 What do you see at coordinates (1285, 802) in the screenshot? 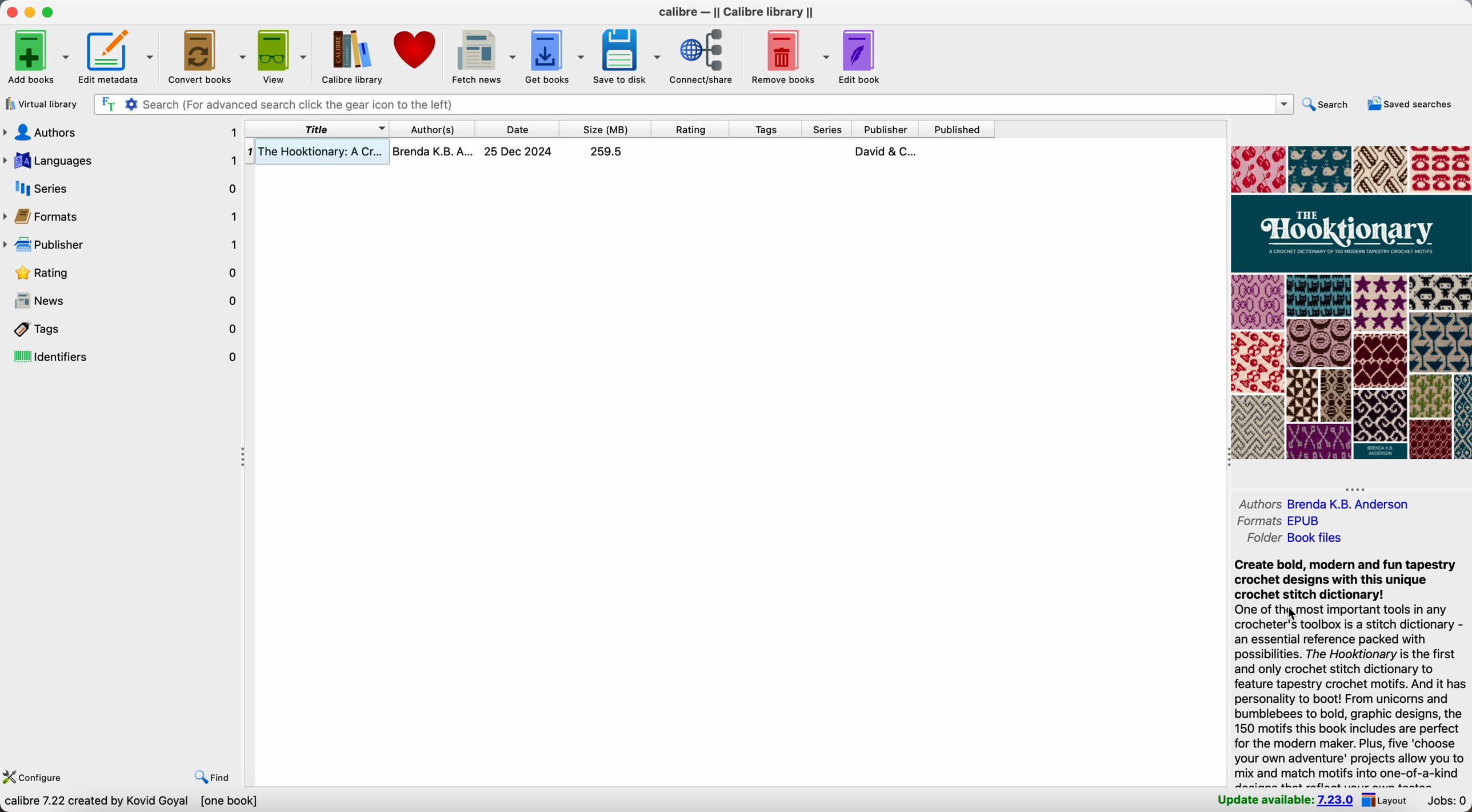
I see `update available` at bounding box center [1285, 802].